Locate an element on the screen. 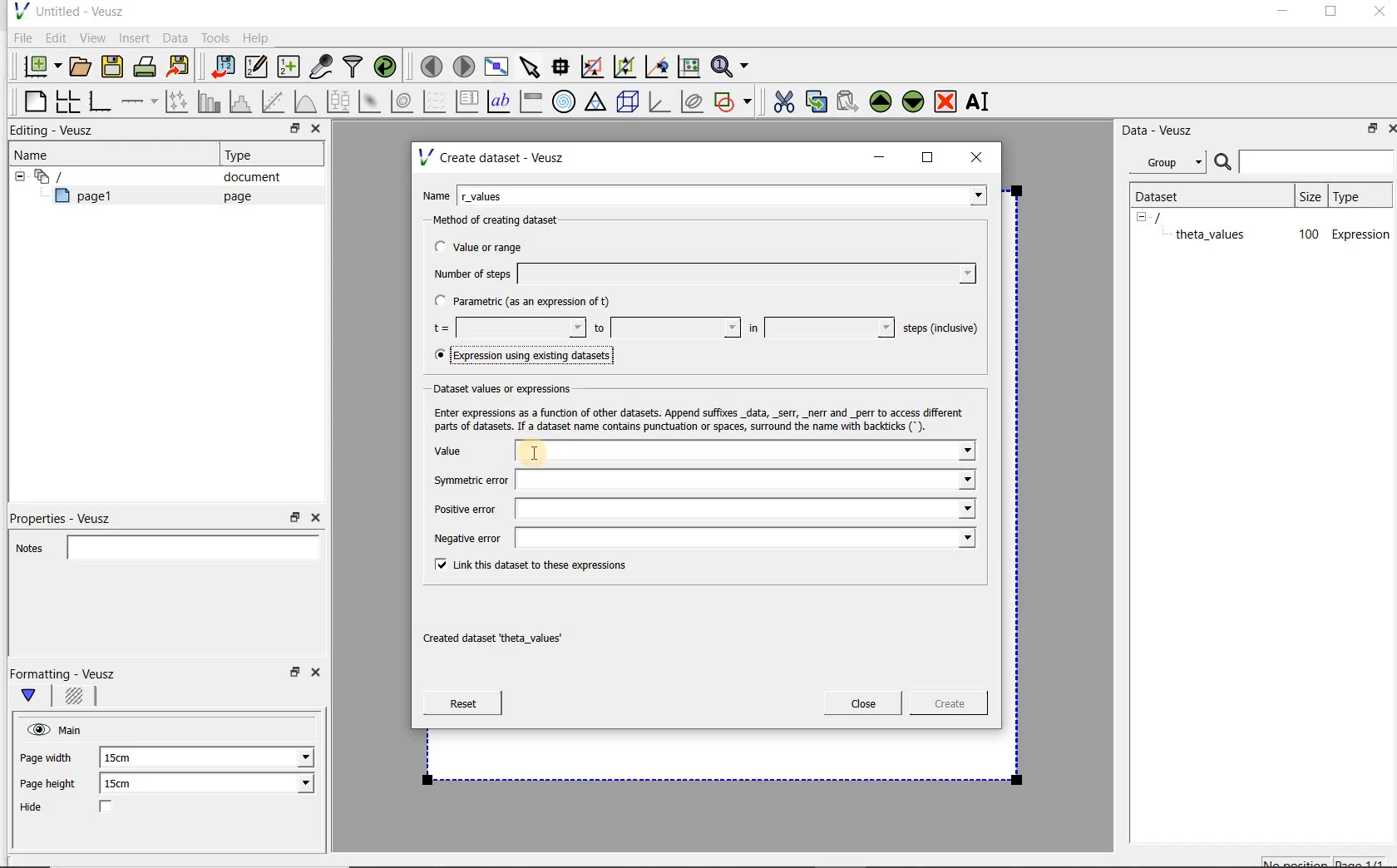 This screenshot has height=868, width=1397. Page width is located at coordinates (47, 755).